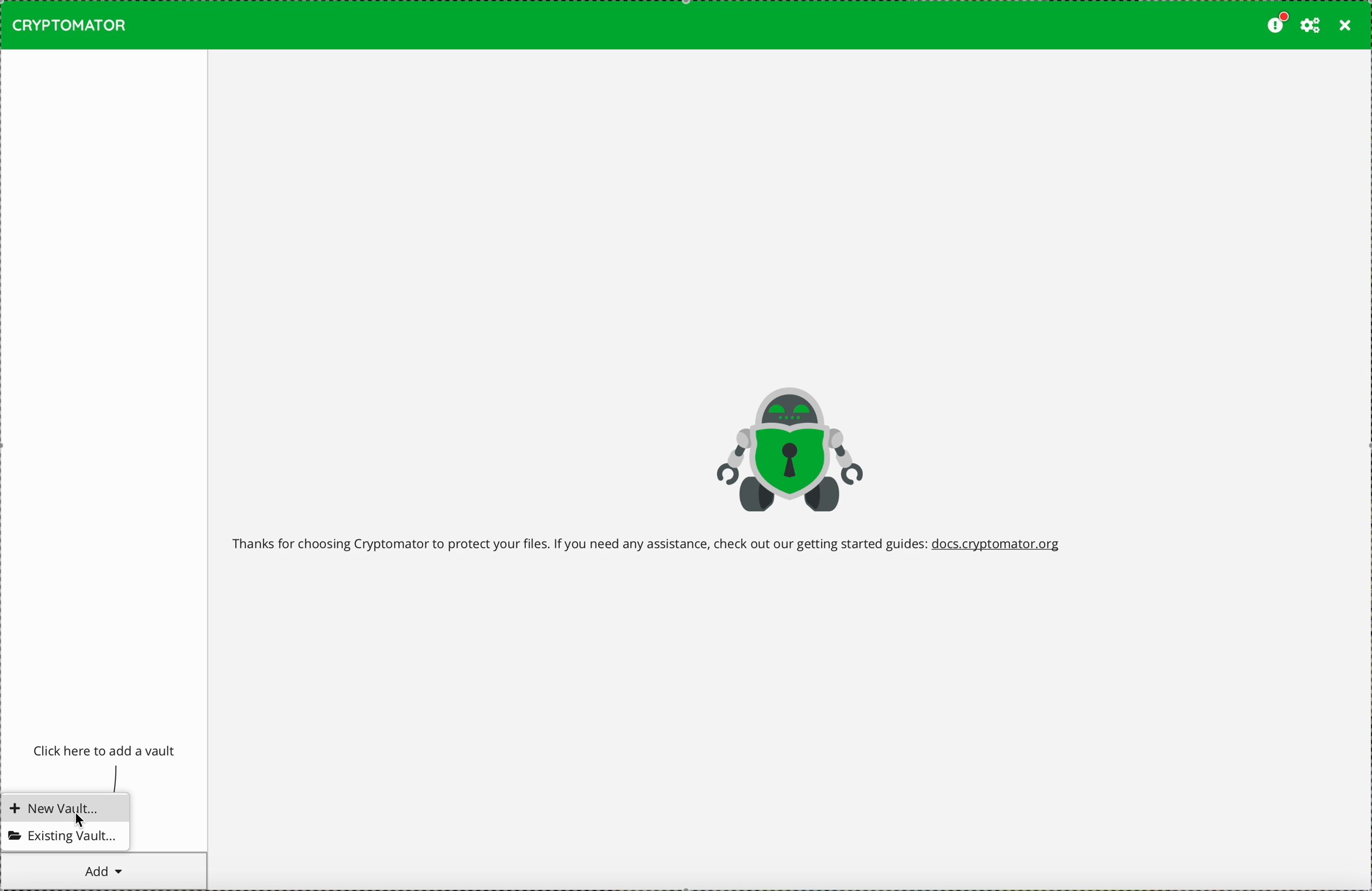  Describe the element at coordinates (1310, 25) in the screenshot. I see `preferences` at that location.